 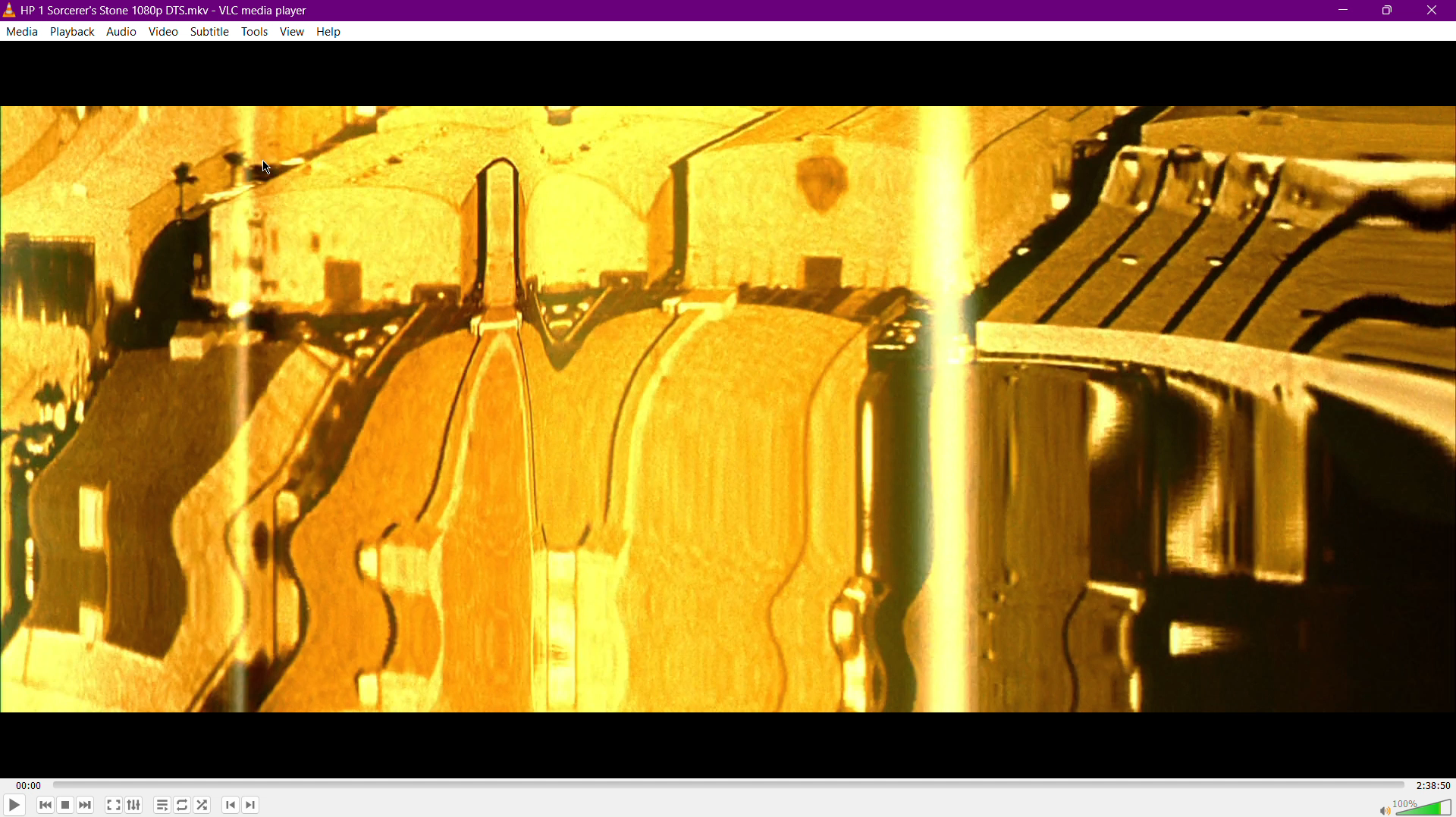 I want to click on Playback, so click(x=72, y=30).